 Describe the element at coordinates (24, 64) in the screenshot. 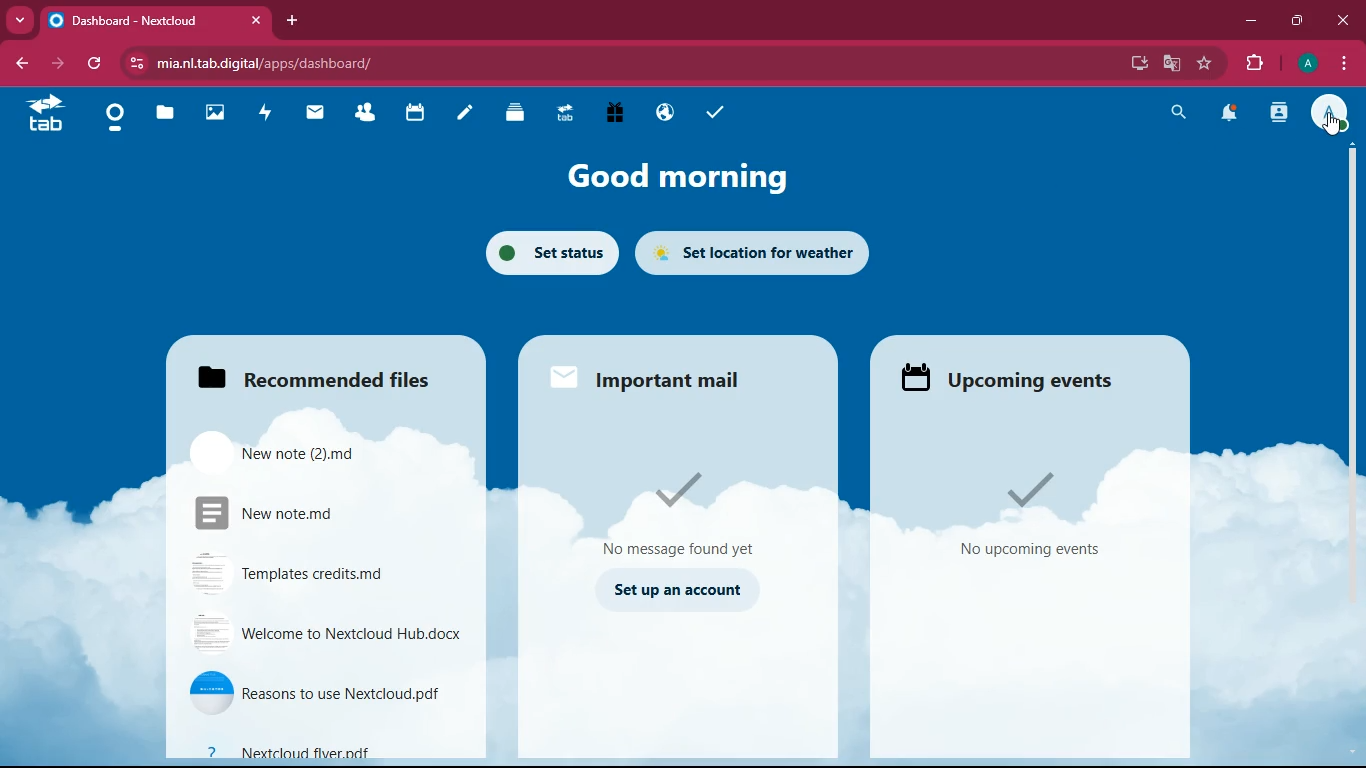

I see `back` at that location.